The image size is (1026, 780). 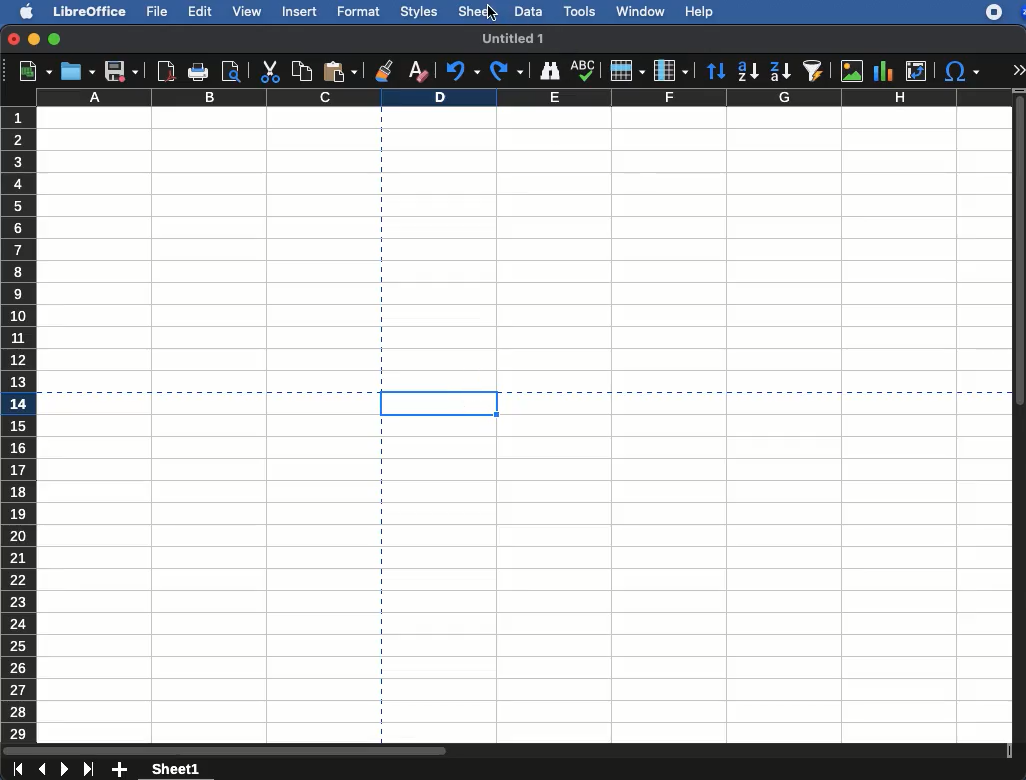 What do you see at coordinates (551, 71) in the screenshot?
I see `finder` at bounding box center [551, 71].